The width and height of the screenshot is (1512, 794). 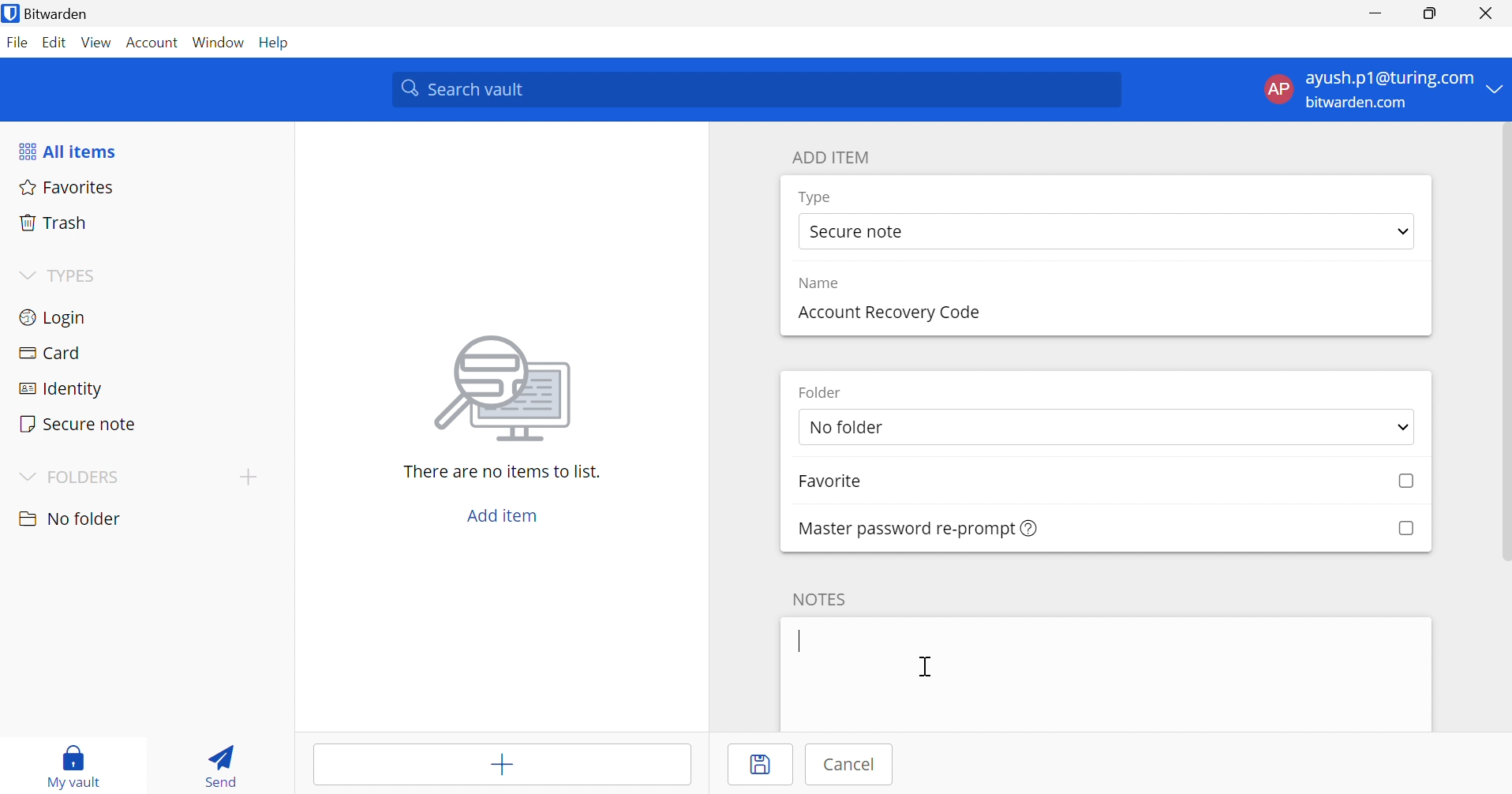 I want to click on bitwarden.com, so click(x=1356, y=103).